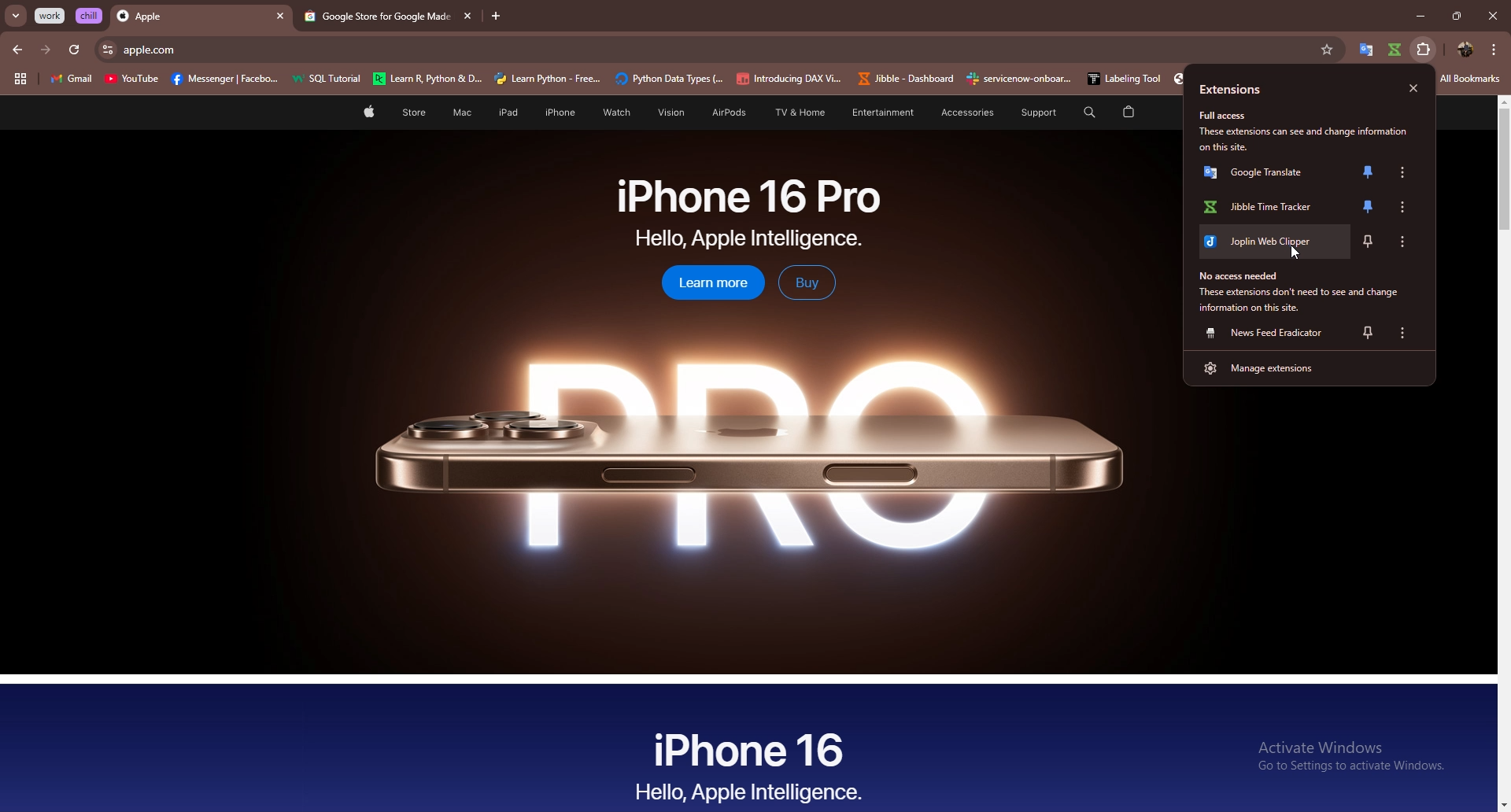 The image size is (1511, 812). What do you see at coordinates (1020, 79) in the screenshot?
I see `he
<£ senvicenow-onboar...` at bounding box center [1020, 79].